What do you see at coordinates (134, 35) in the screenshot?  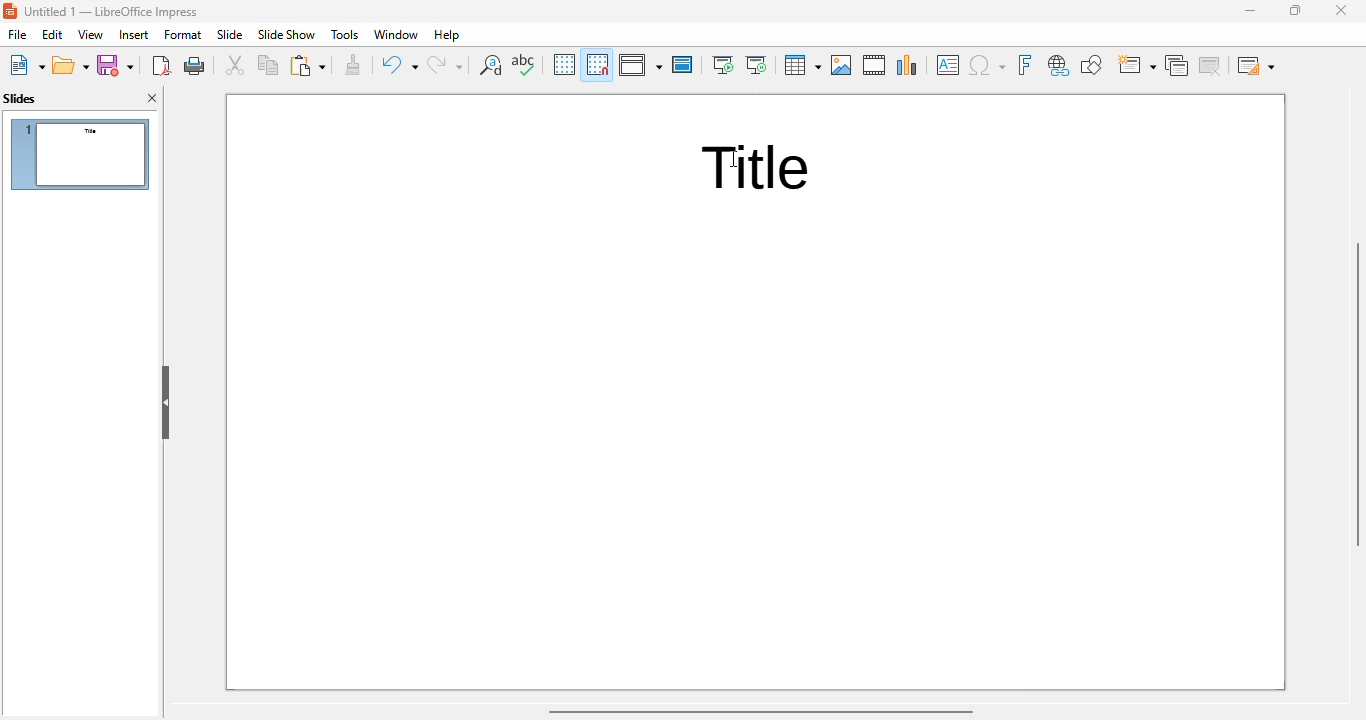 I see `insert` at bounding box center [134, 35].